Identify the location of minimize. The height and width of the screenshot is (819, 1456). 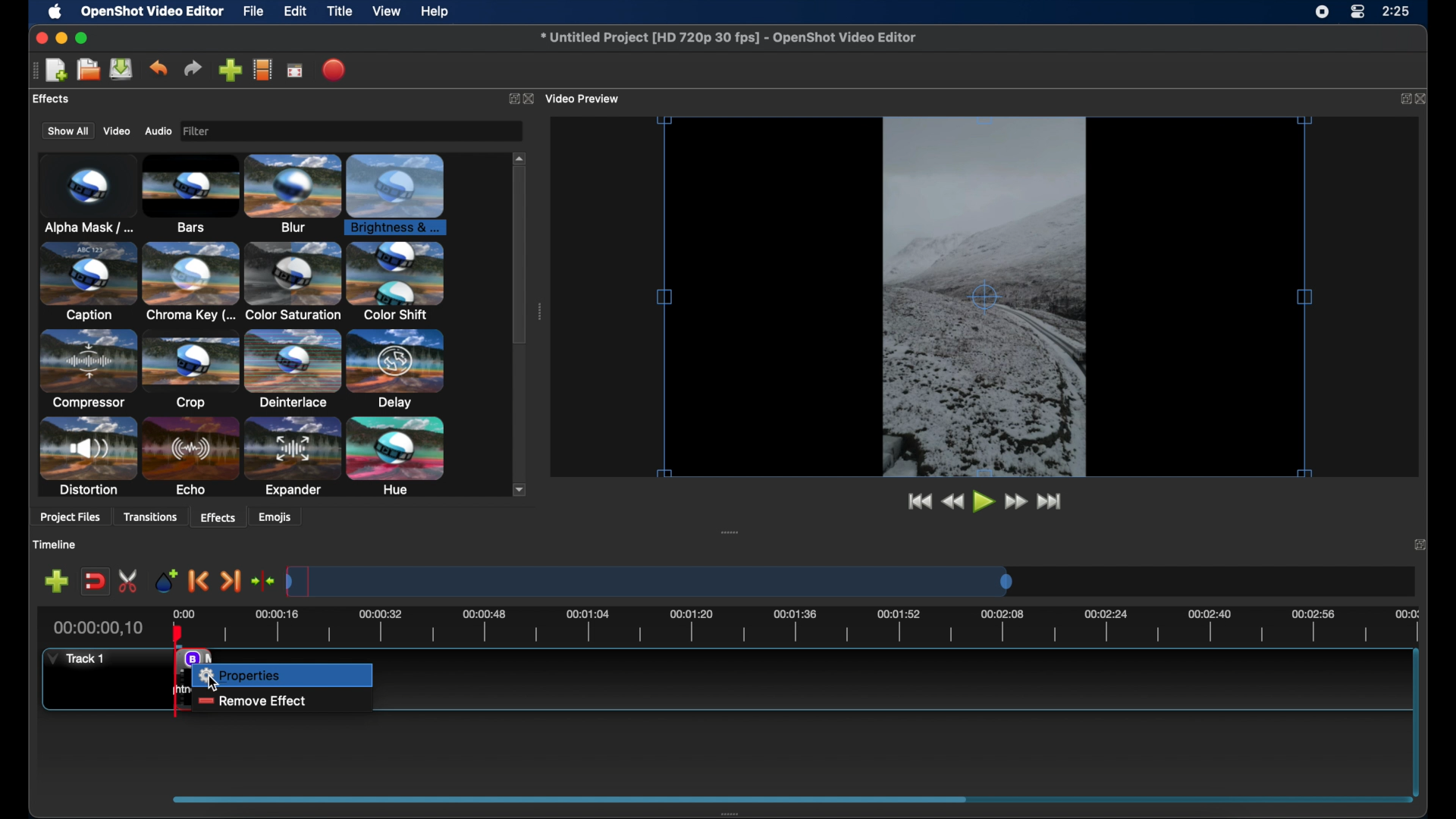
(62, 37).